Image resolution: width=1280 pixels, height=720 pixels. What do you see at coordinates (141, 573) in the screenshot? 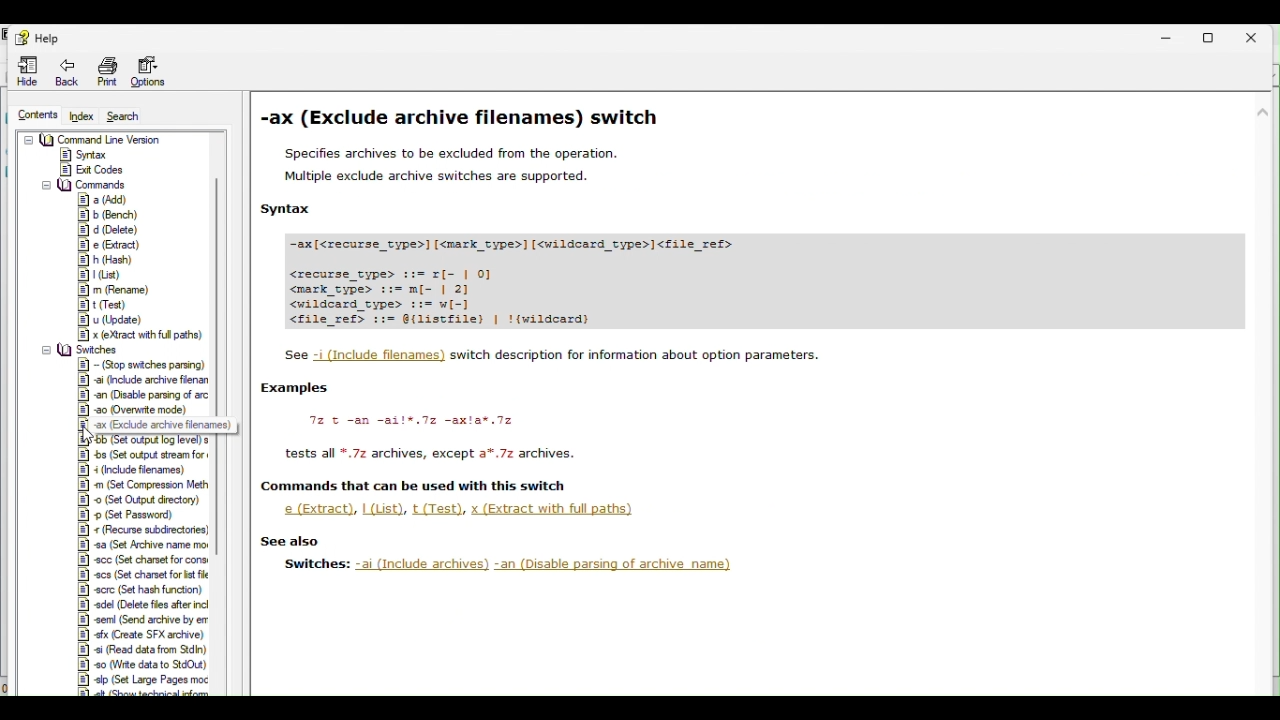
I see `18] acs (Set charset for hist file` at bounding box center [141, 573].